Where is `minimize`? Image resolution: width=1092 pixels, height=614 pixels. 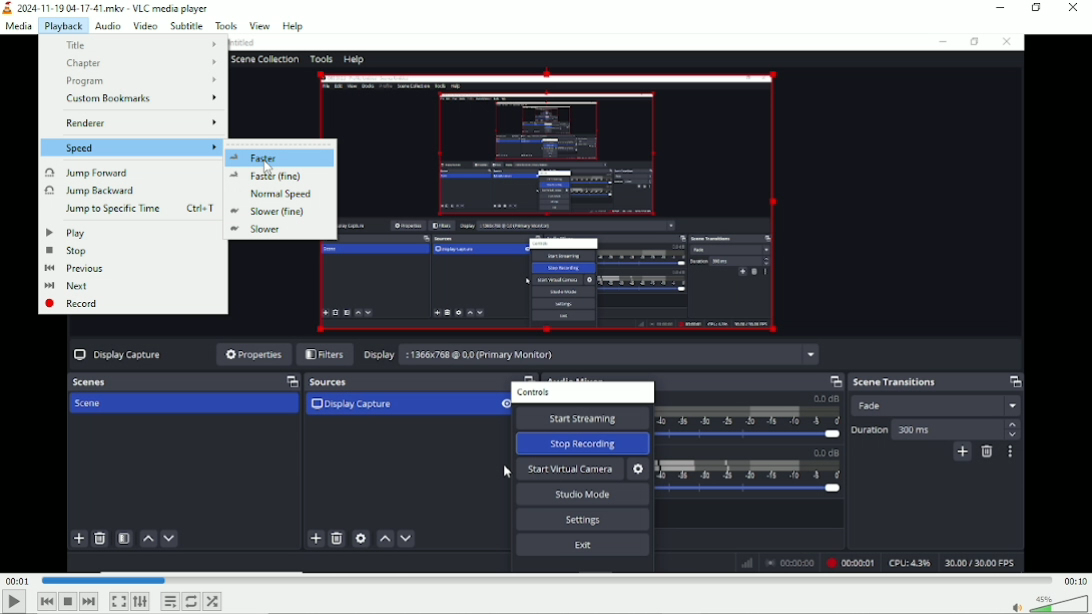 minimize is located at coordinates (995, 8).